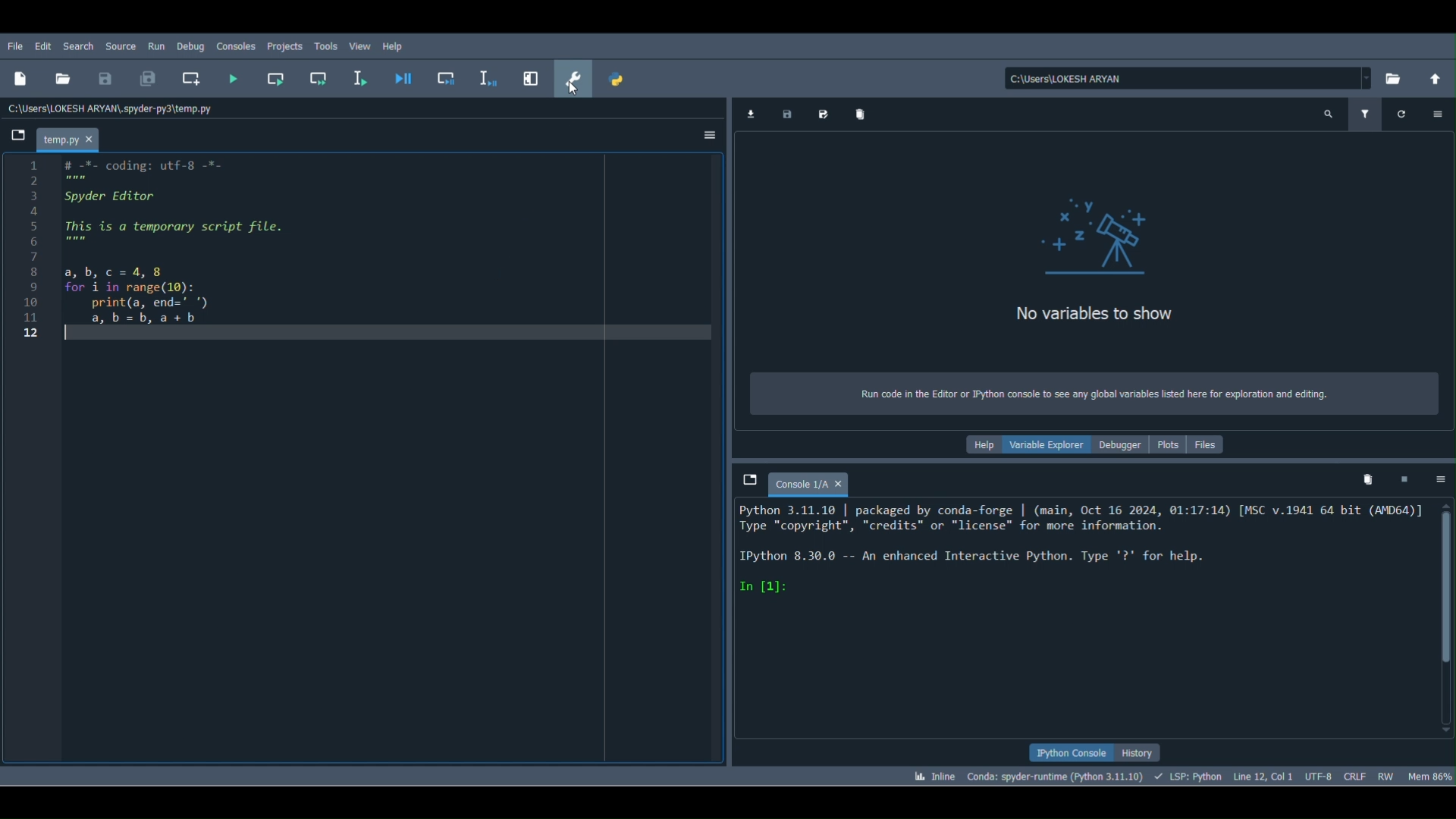 The height and width of the screenshot is (819, 1456). What do you see at coordinates (191, 47) in the screenshot?
I see `Debug` at bounding box center [191, 47].